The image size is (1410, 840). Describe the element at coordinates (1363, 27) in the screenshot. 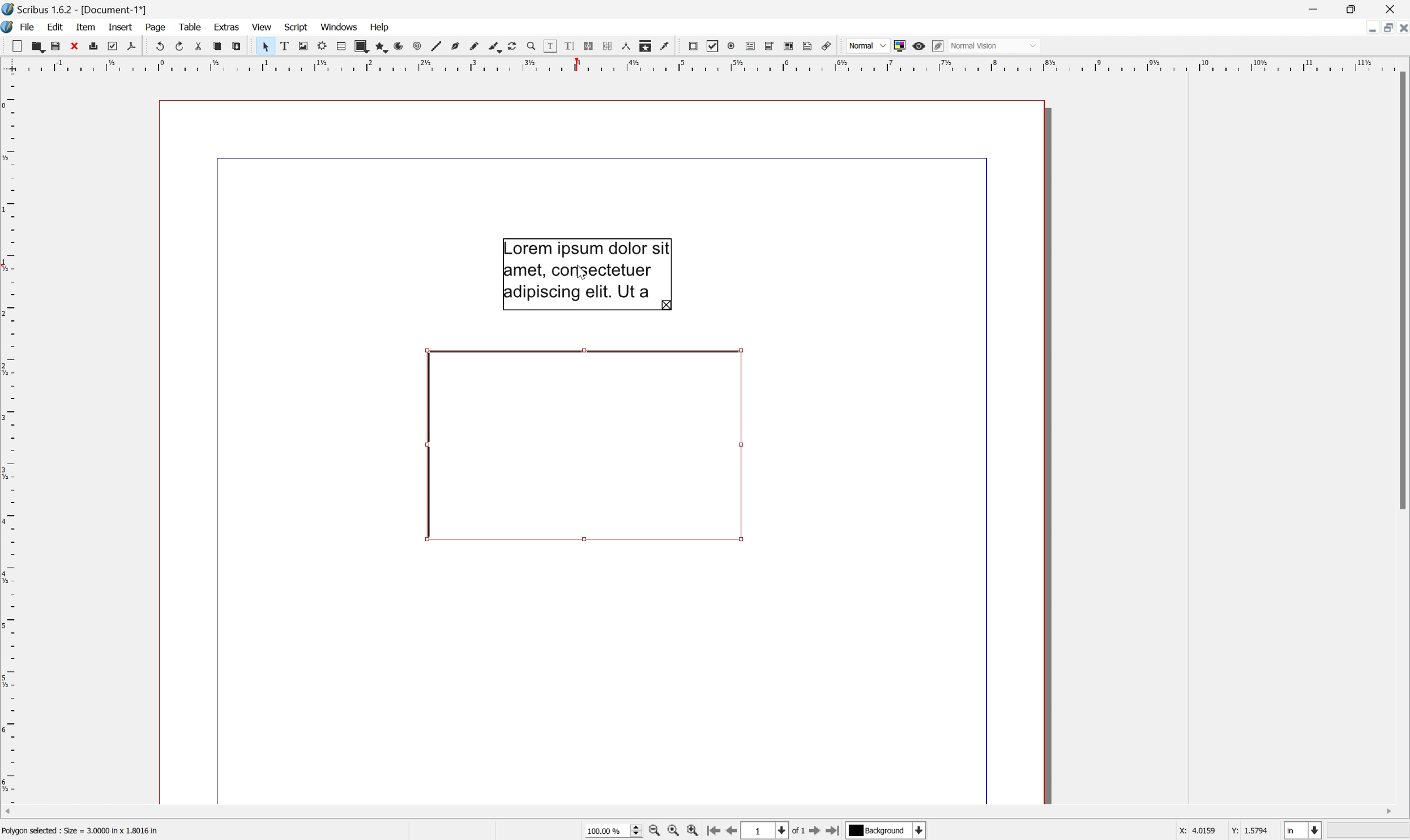

I see `Minimize` at that location.